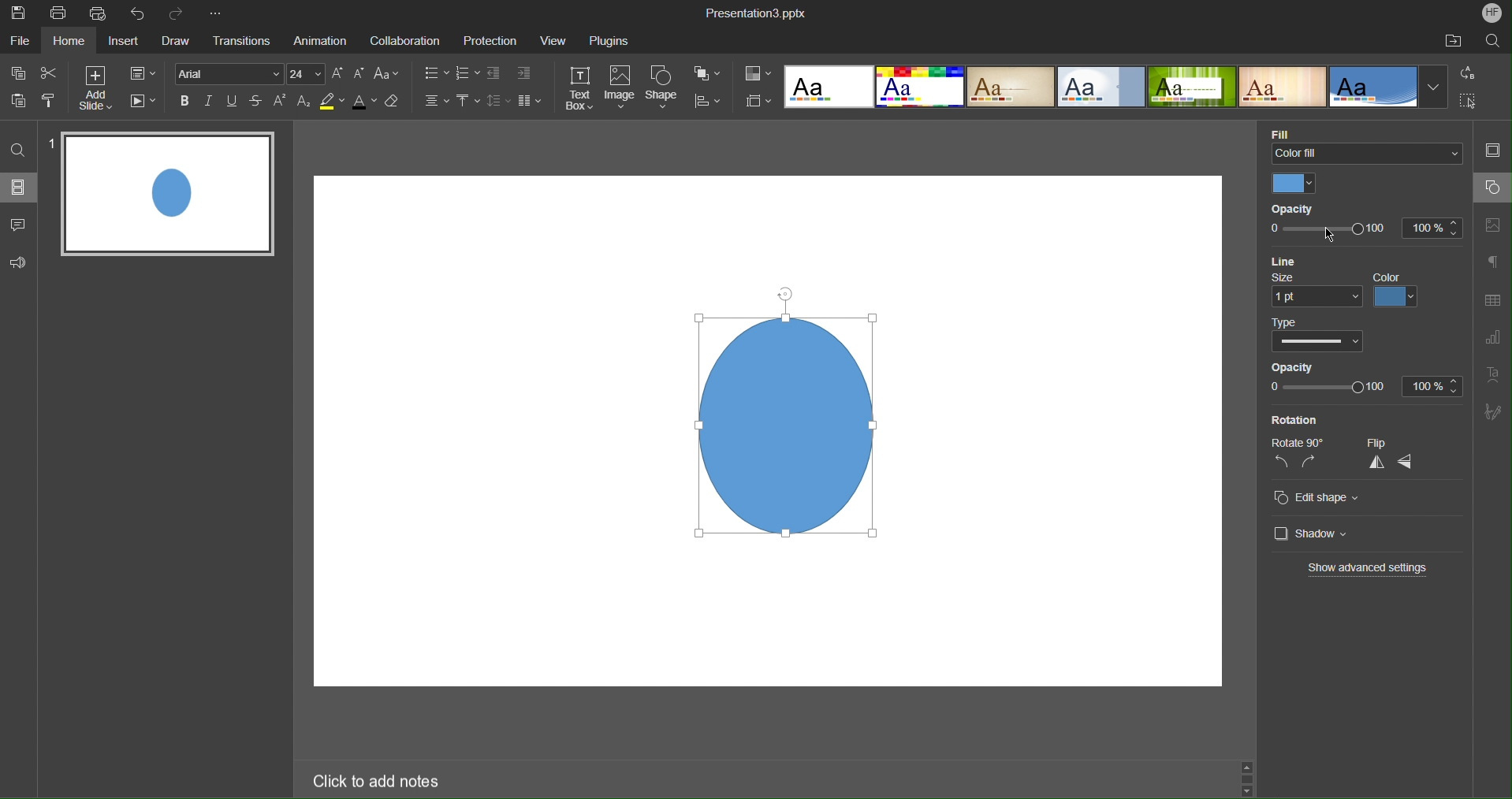 Image resolution: width=1512 pixels, height=799 pixels. Describe the element at coordinates (1365, 232) in the screenshot. I see `Opacity adjuster` at that location.